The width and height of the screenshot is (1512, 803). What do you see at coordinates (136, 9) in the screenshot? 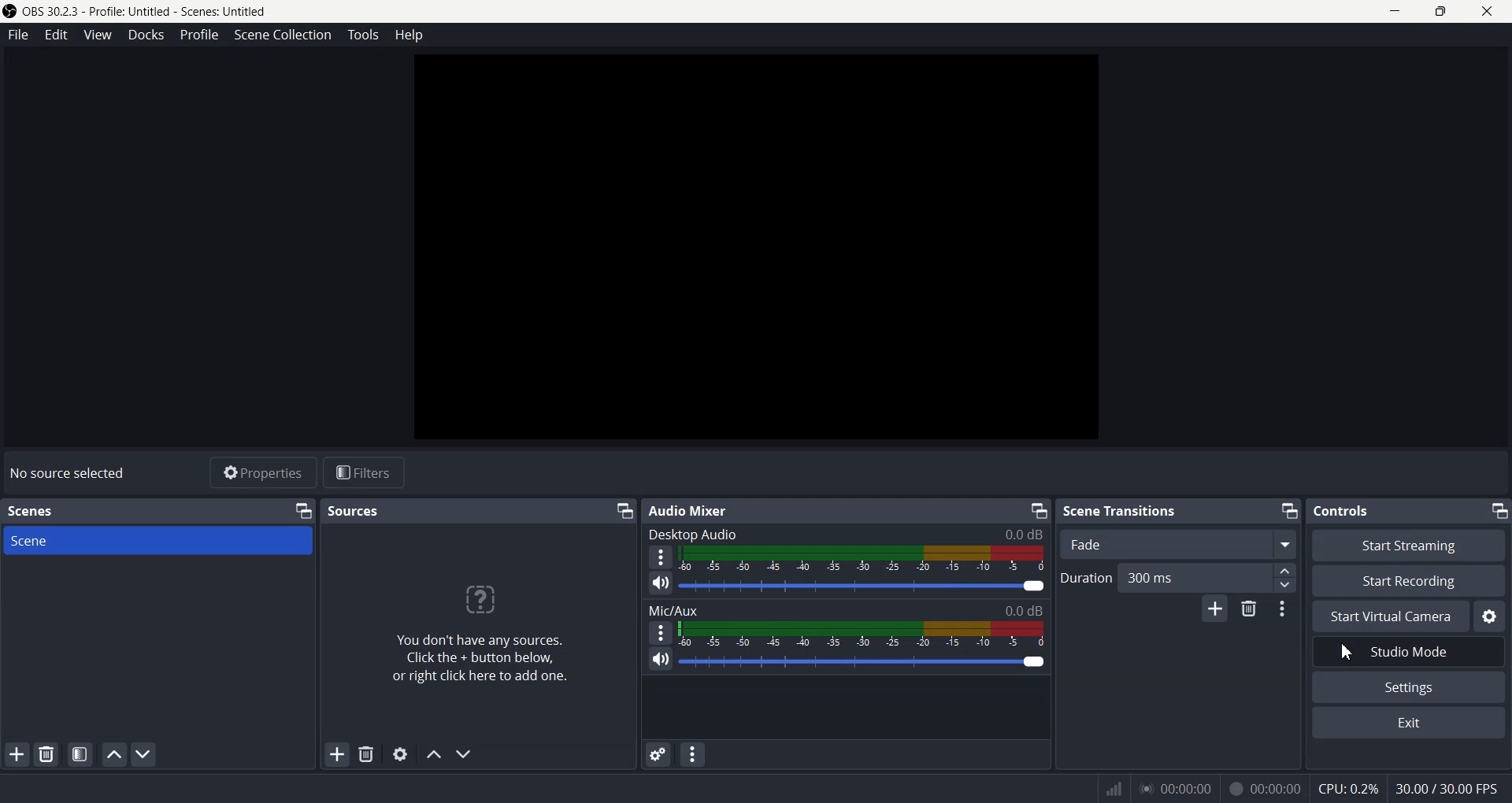
I see ` OBS 30.2.3 - Profile: Untitled - Scenes: Untitled` at bounding box center [136, 9].